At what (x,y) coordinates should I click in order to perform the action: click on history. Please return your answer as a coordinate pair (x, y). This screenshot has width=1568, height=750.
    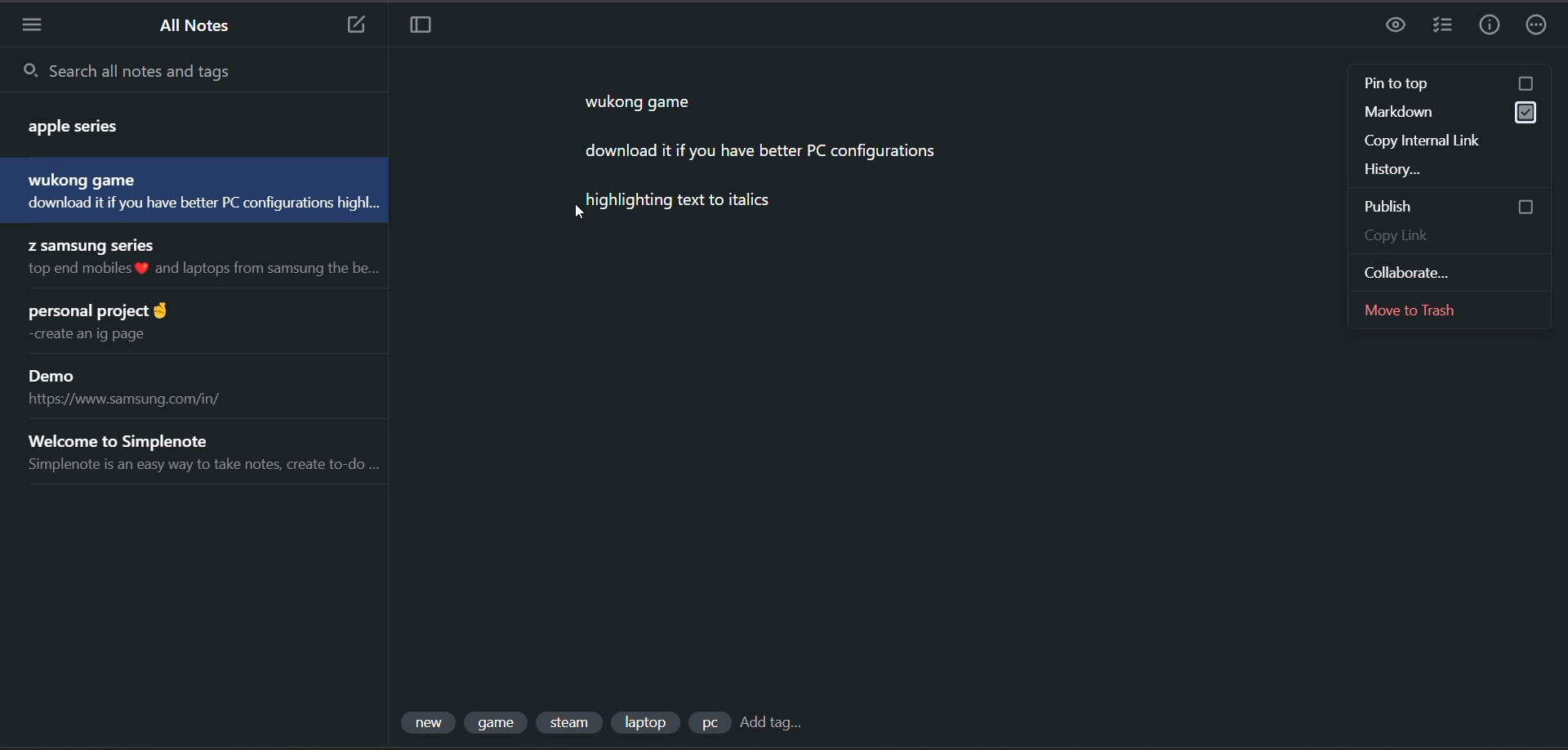
    Looking at the image, I should click on (1444, 168).